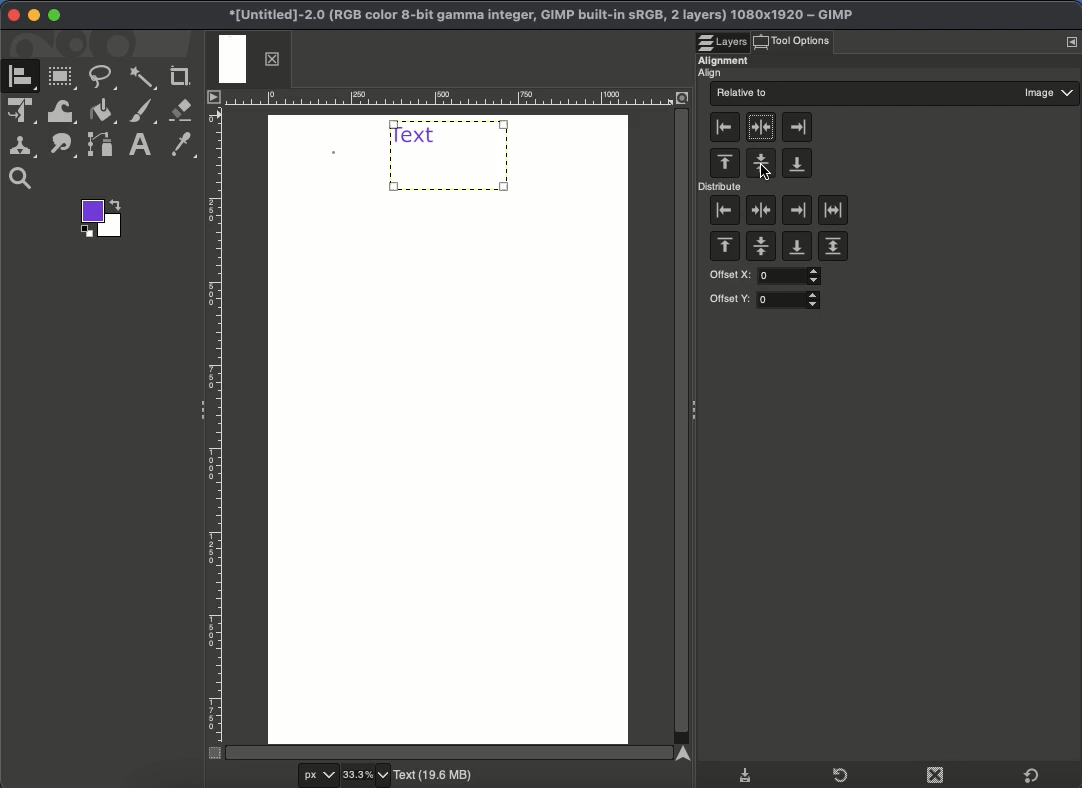 The image size is (1082, 788). What do you see at coordinates (834, 774) in the screenshot?
I see `Refresh tool presets` at bounding box center [834, 774].